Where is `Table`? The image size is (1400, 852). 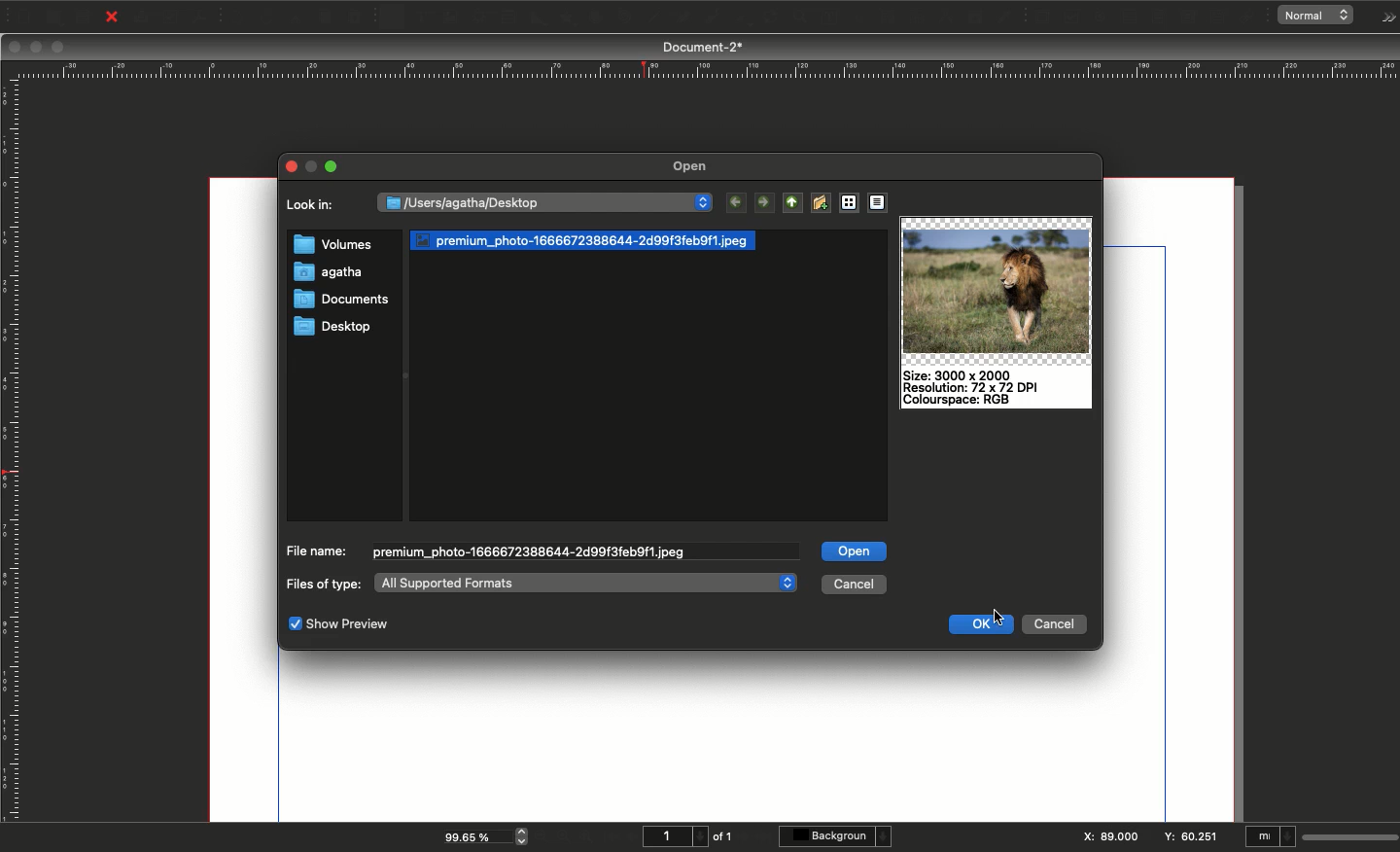 Table is located at coordinates (507, 18).